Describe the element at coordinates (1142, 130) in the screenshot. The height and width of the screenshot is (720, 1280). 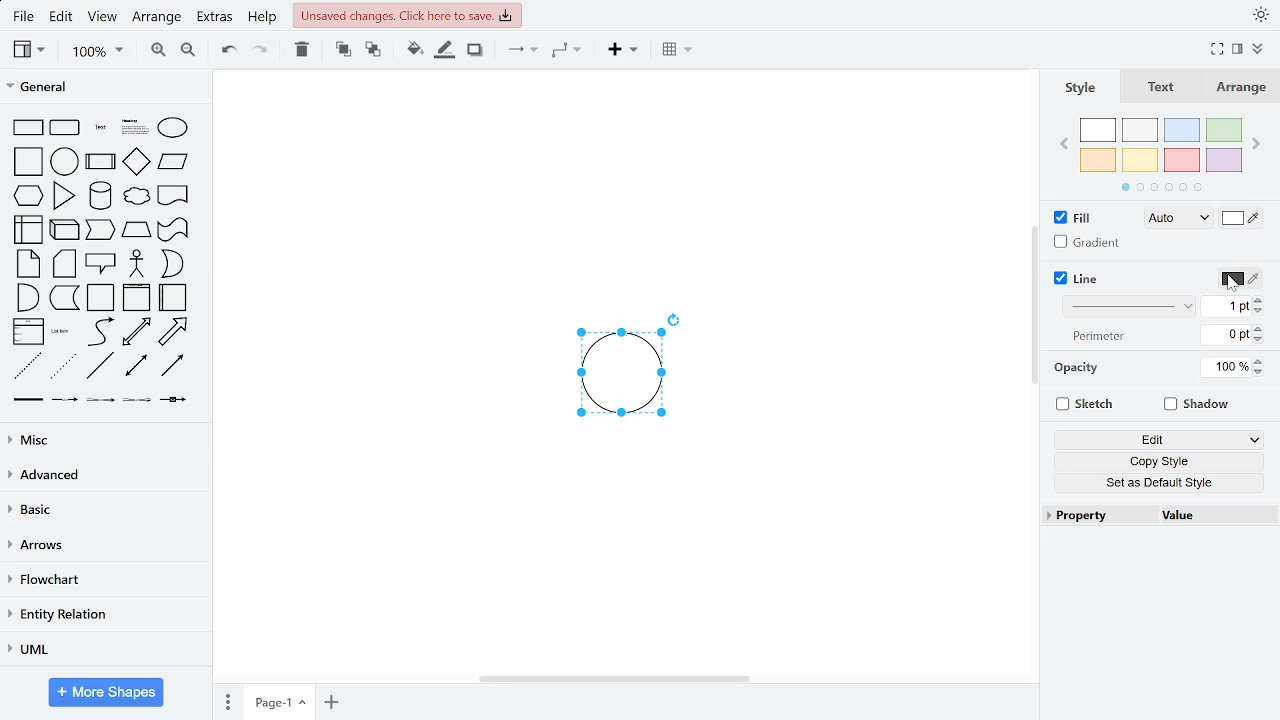
I see `ash` at that location.